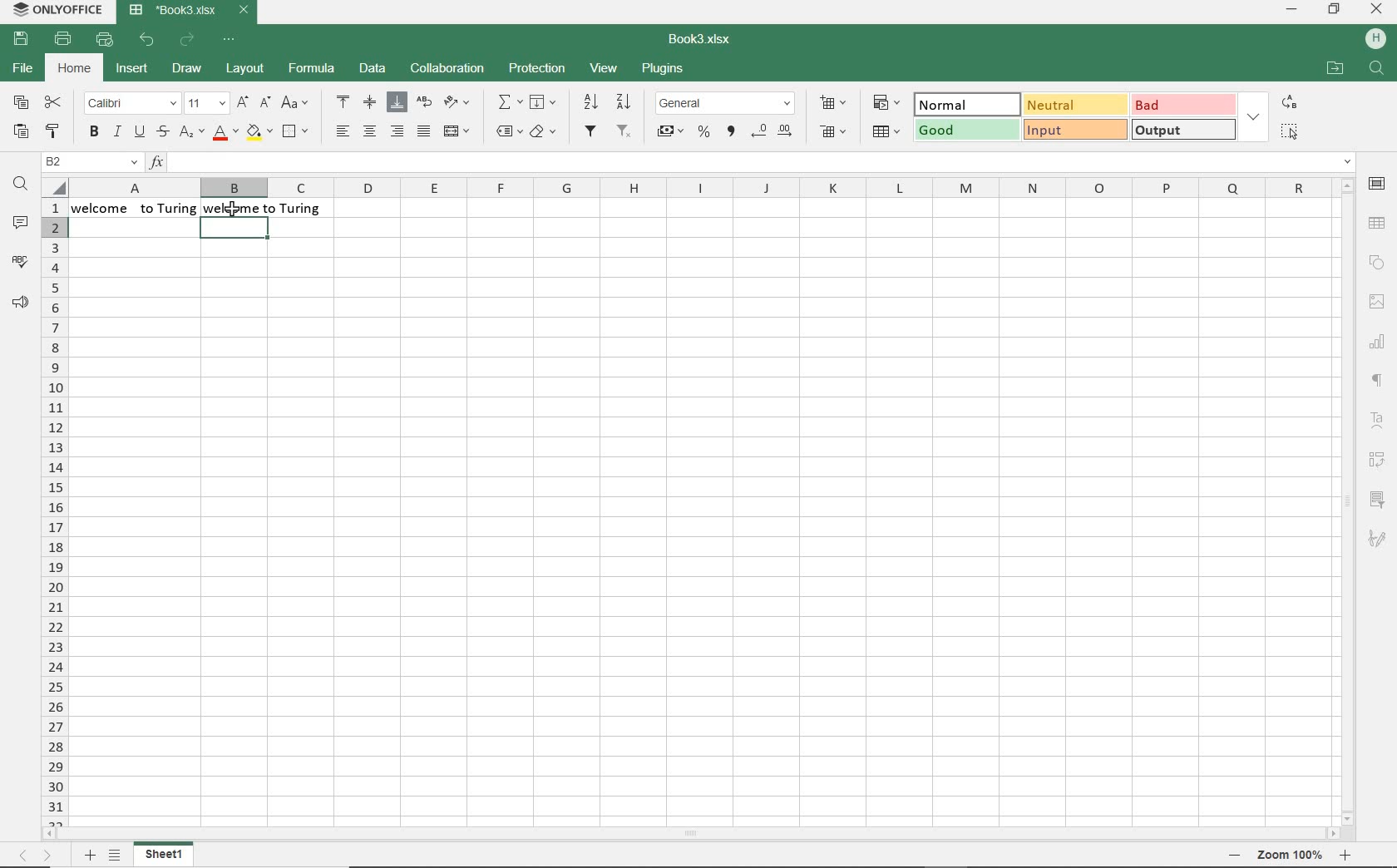  Describe the element at coordinates (626, 133) in the screenshot. I see `remove filter` at that location.